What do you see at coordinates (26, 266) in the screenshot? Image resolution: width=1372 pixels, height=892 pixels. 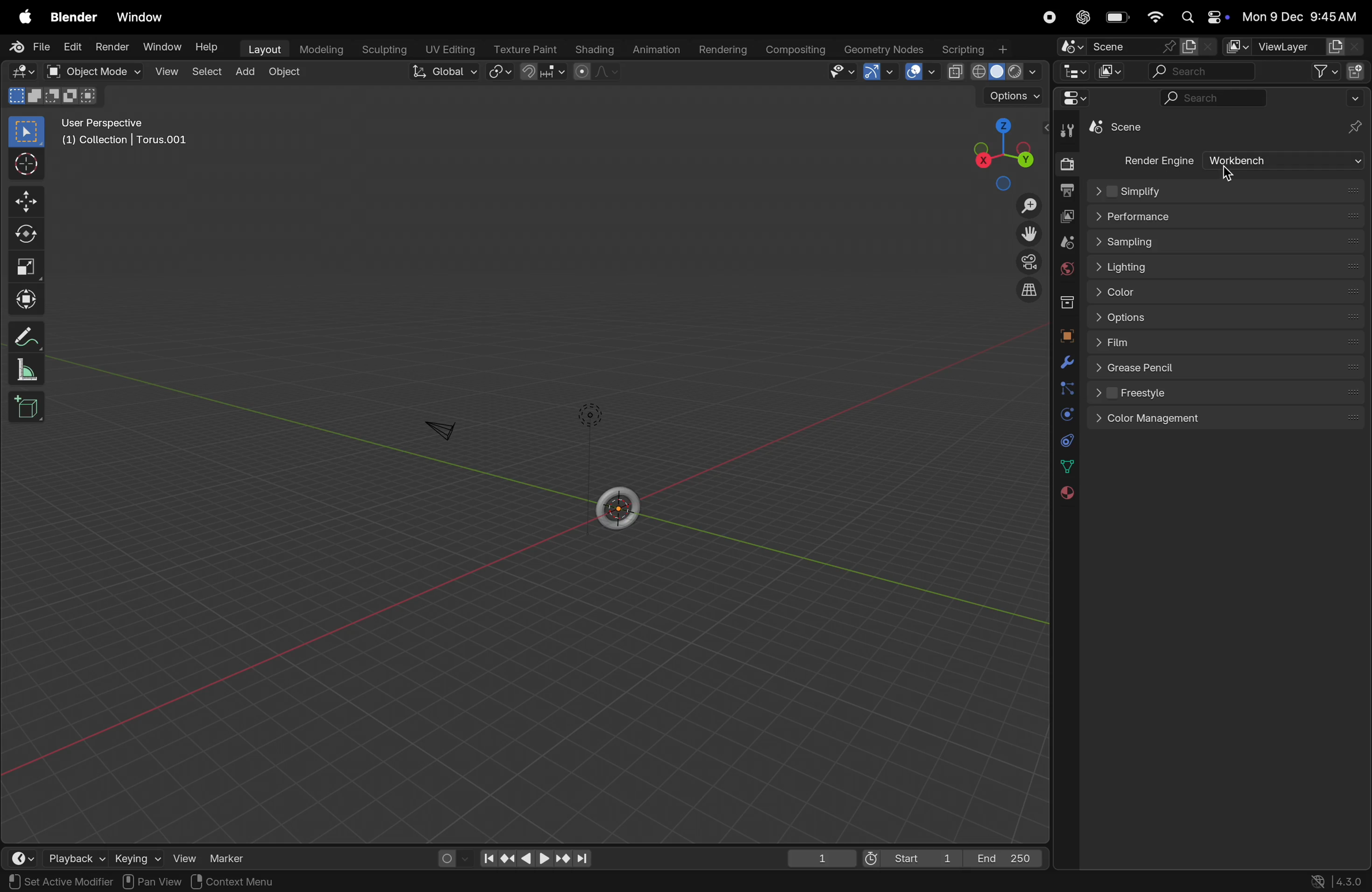 I see `scale` at bounding box center [26, 266].